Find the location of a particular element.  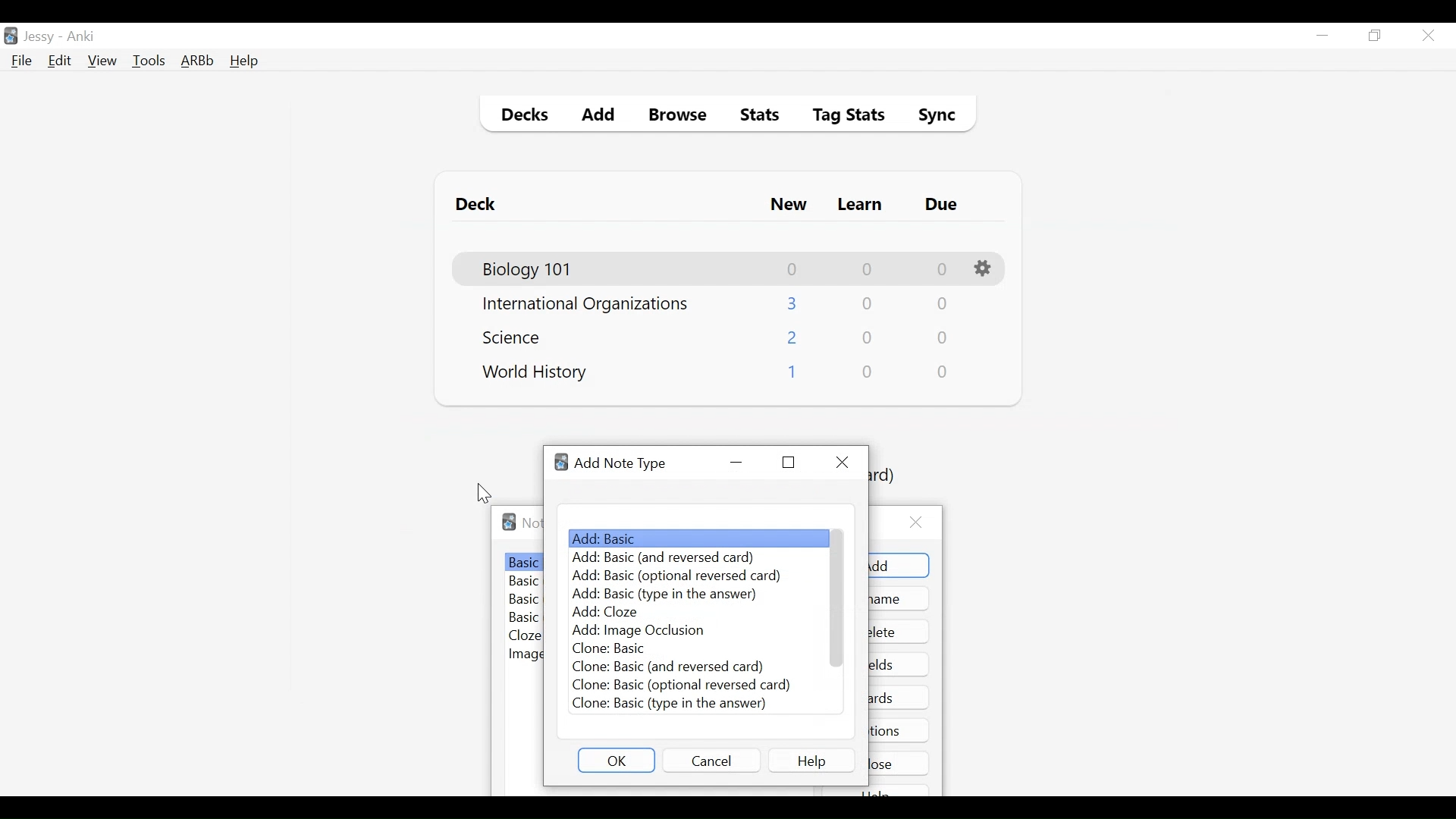

Cursor is located at coordinates (485, 494).